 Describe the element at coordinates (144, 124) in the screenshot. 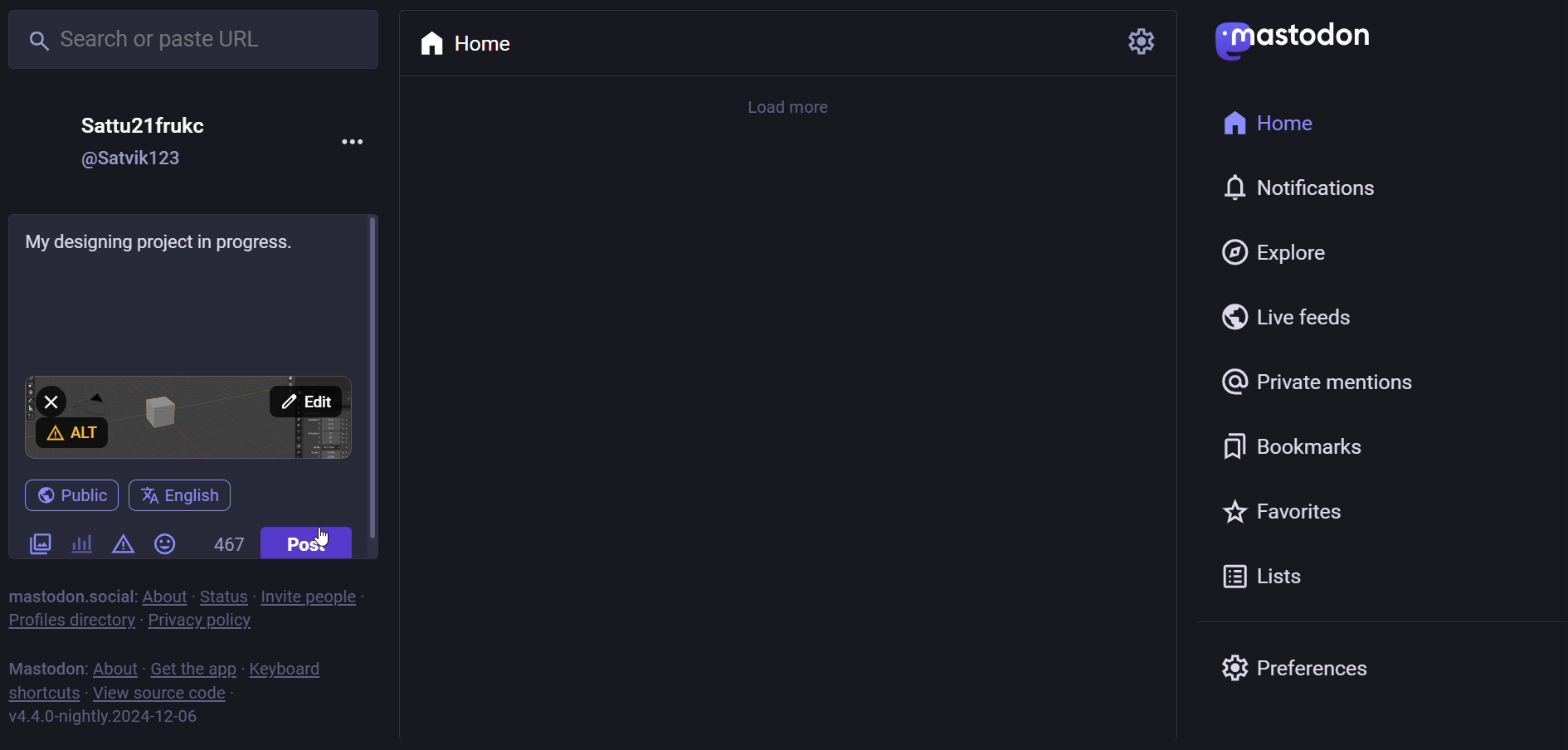

I see `name` at that location.